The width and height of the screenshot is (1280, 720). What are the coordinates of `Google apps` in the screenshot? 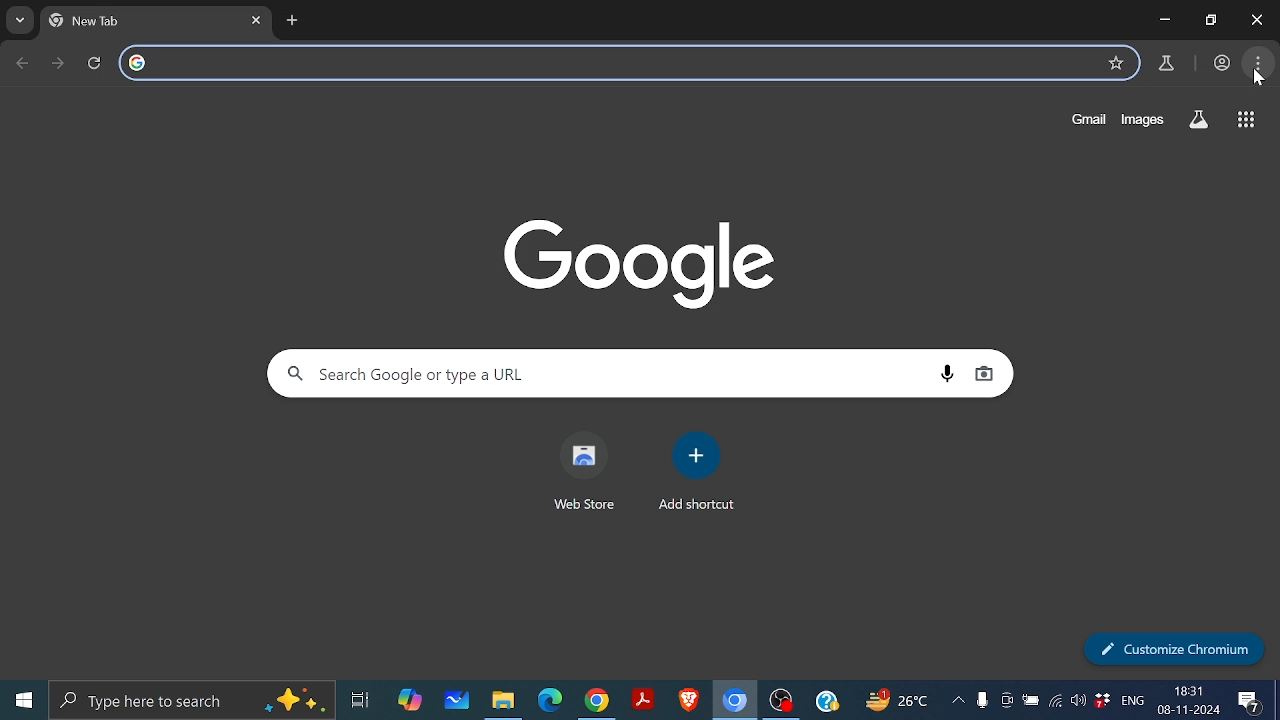 It's located at (1244, 119).